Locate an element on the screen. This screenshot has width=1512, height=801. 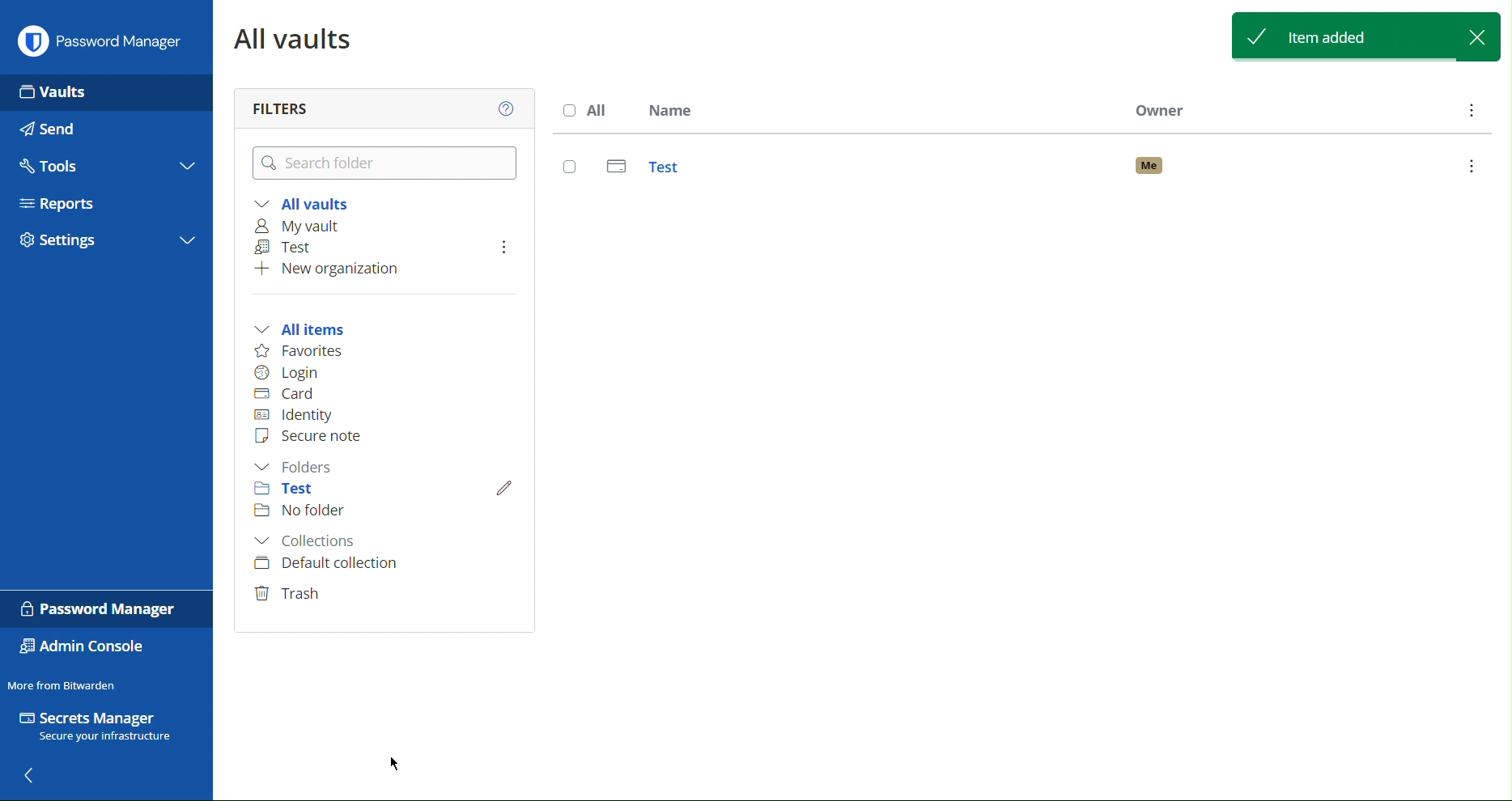
Cursor is located at coordinates (395, 765).